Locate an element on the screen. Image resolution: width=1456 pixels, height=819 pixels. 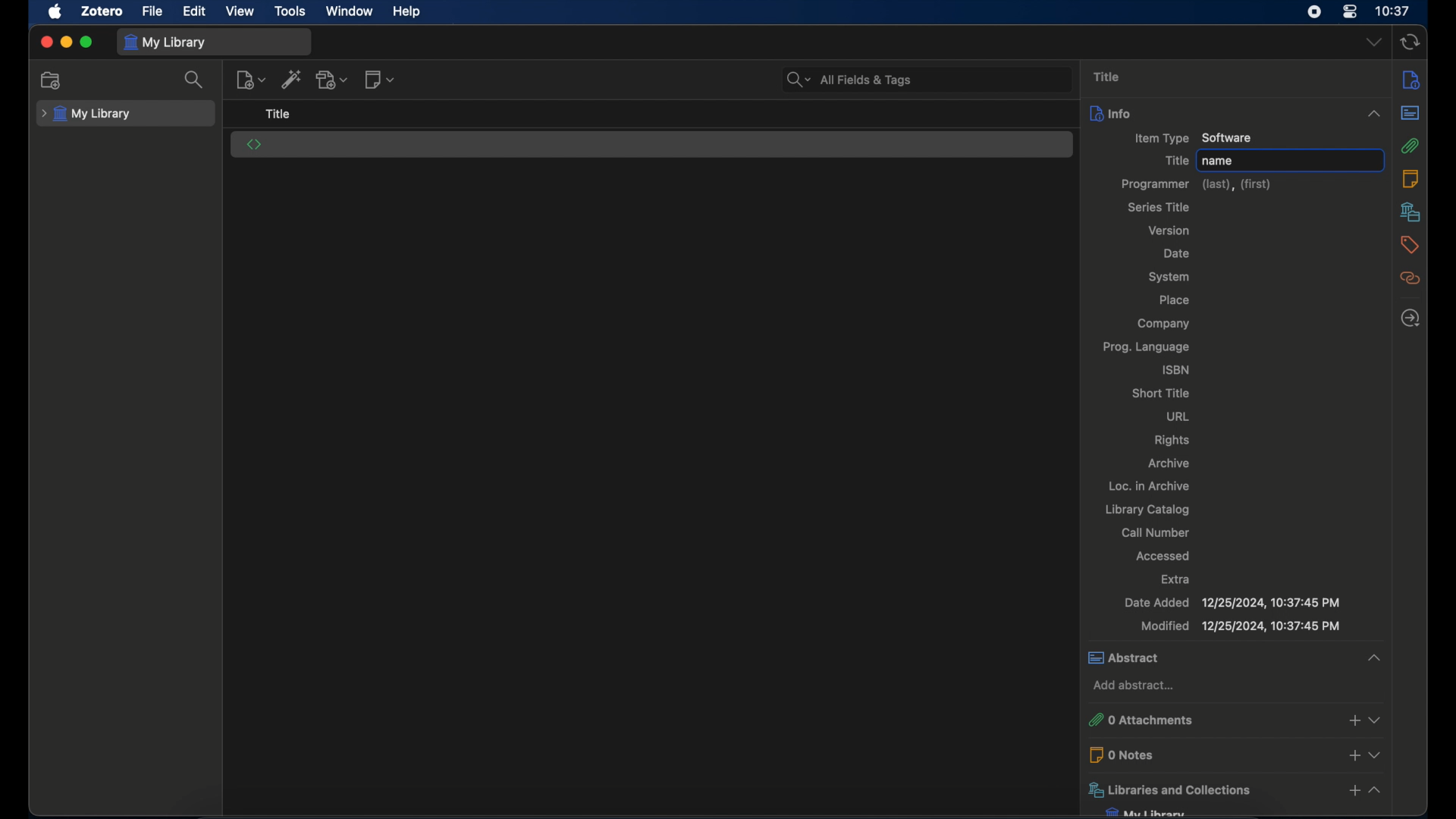
info is located at coordinates (1411, 79).